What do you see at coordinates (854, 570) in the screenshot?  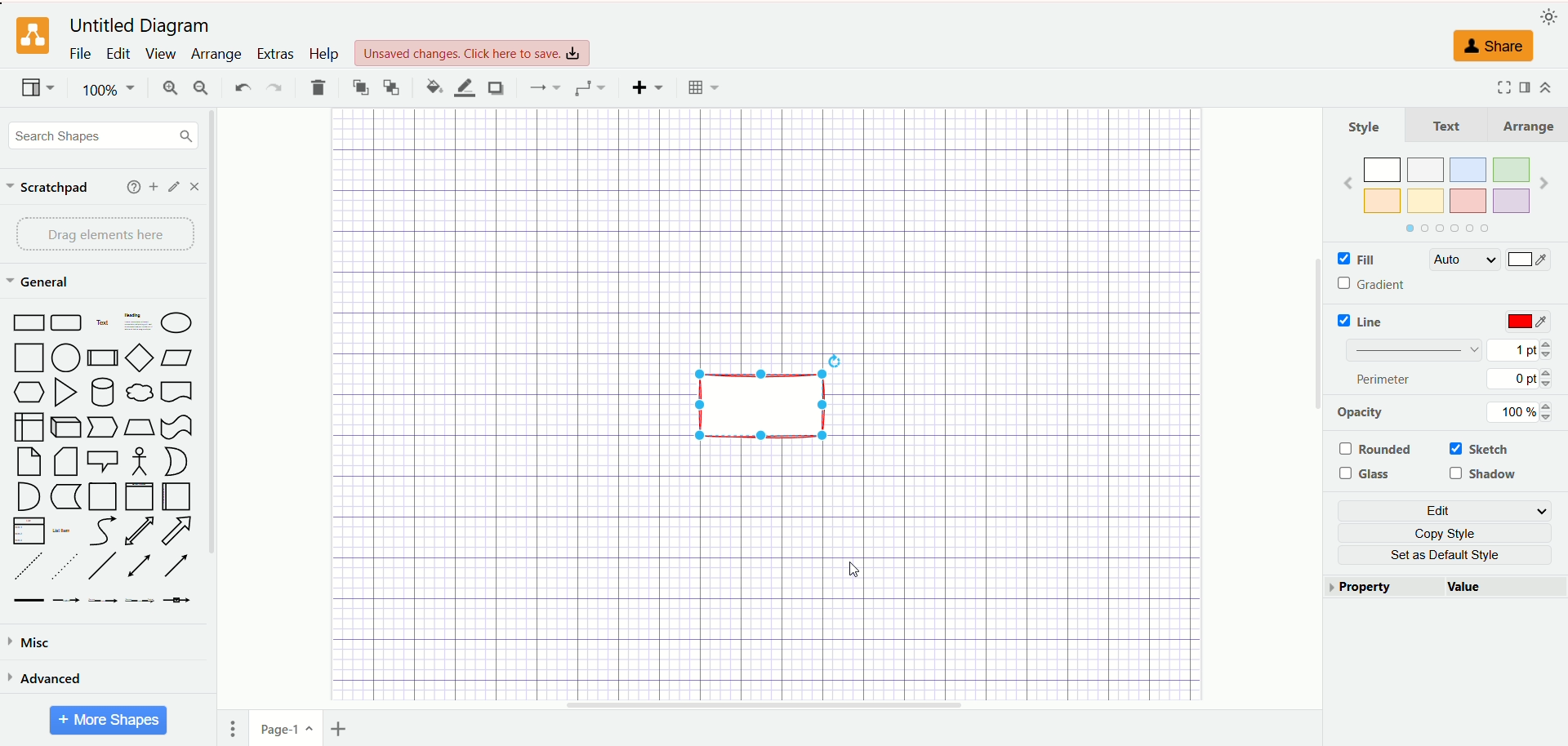 I see `cursor` at bounding box center [854, 570].